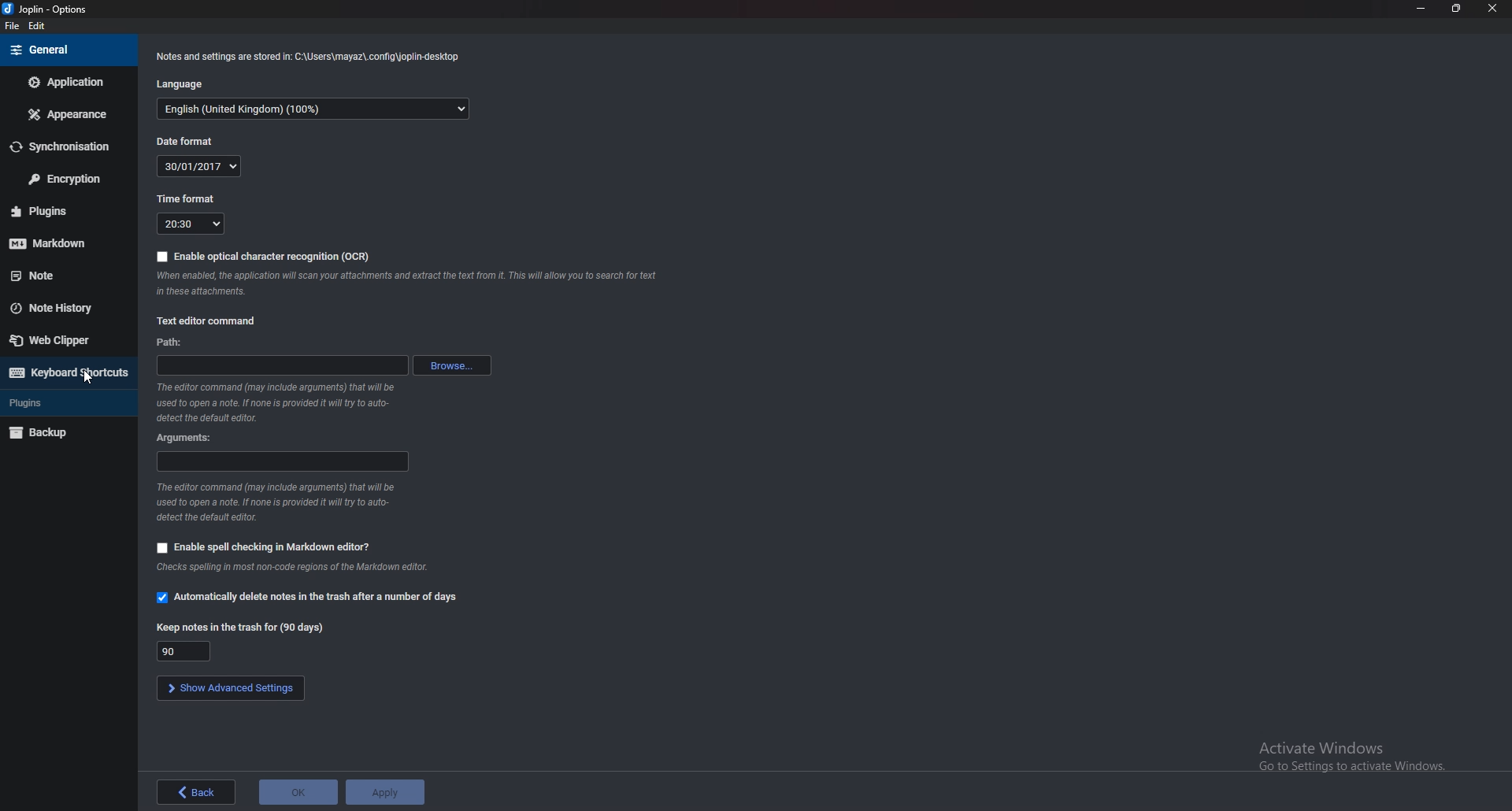 The height and width of the screenshot is (811, 1512). Describe the element at coordinates (187, 650) in the screenshot. I see `Keep notes in the trash for` at that location.